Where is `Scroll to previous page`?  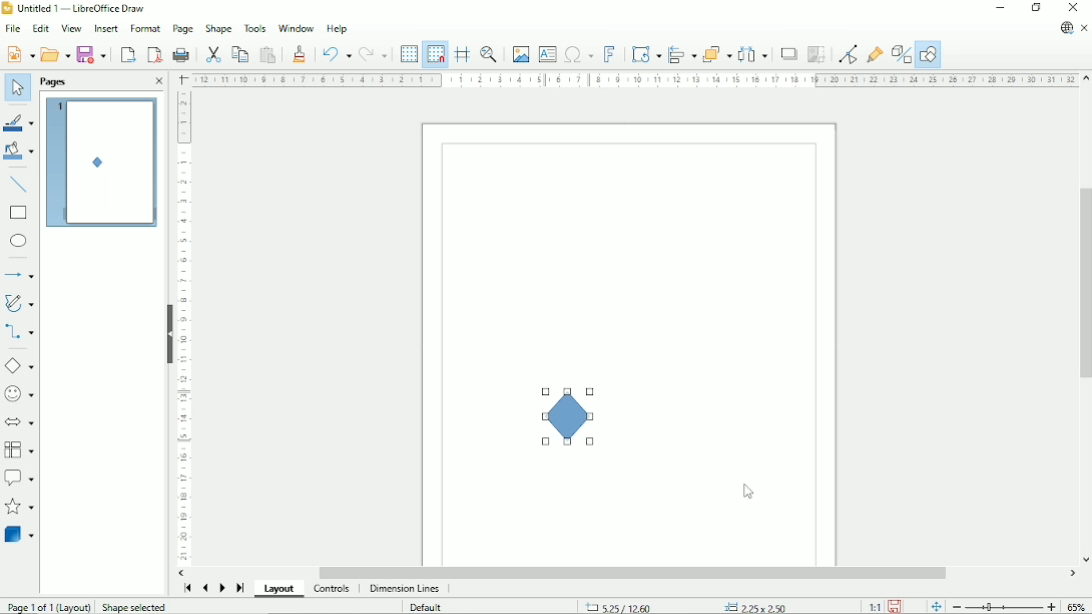
Scroll to previous page is located at coordinates (204, 588).